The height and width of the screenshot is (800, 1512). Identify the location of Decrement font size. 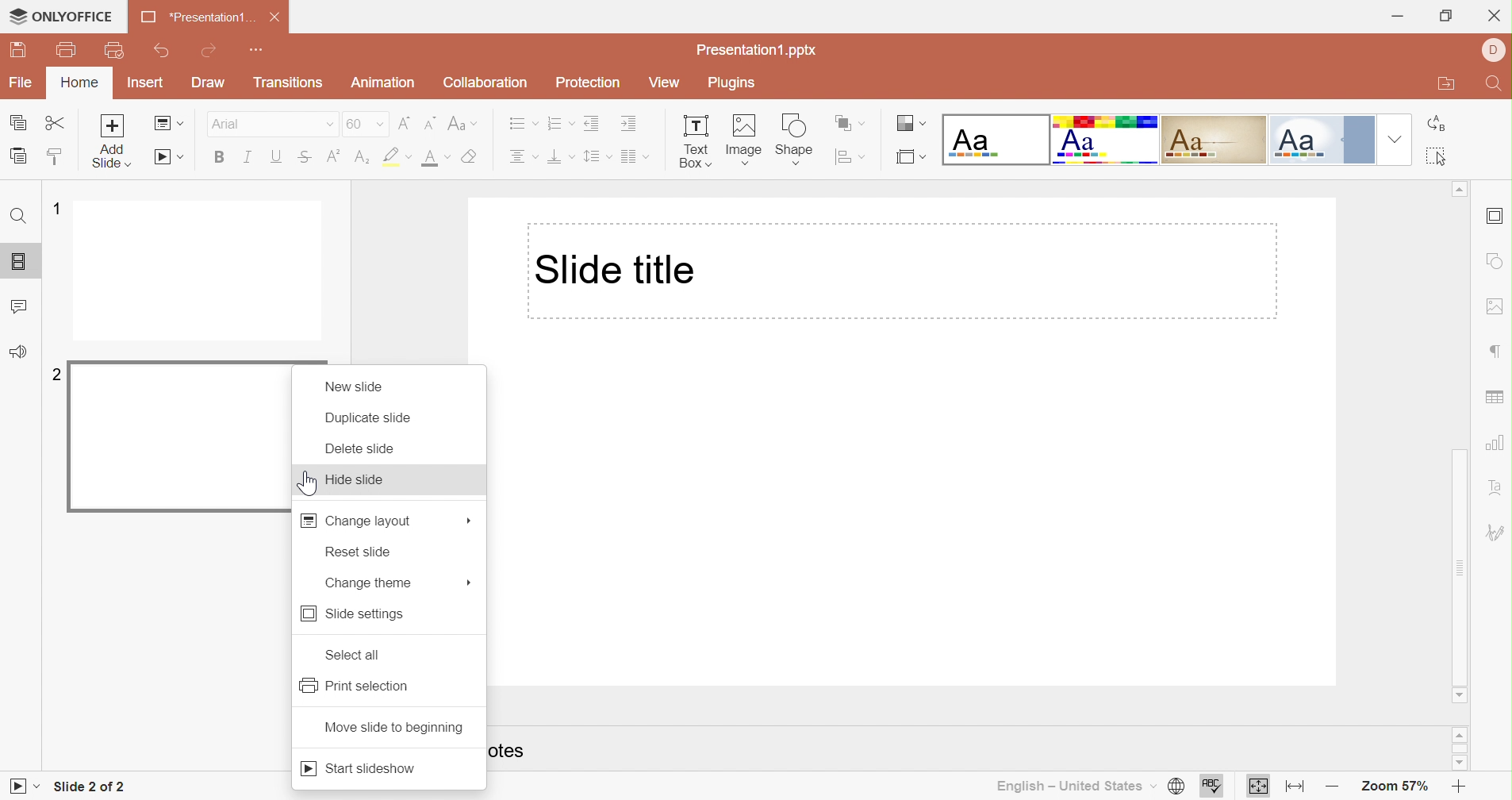
(428, 121).